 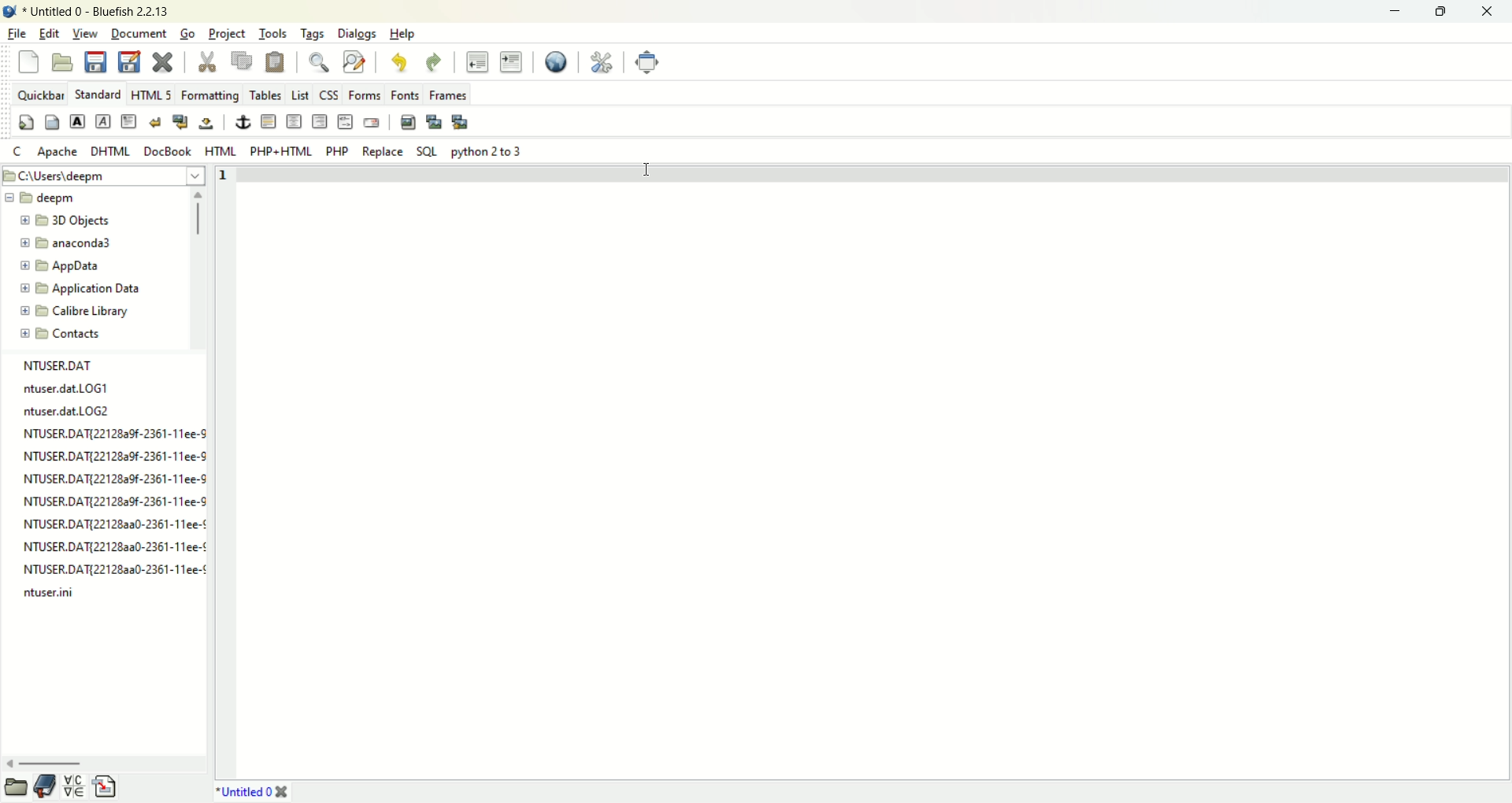 What do you see at coordinates (318, 122) in the screenshot?
I see `right justify` at bounding box center [318, 122].